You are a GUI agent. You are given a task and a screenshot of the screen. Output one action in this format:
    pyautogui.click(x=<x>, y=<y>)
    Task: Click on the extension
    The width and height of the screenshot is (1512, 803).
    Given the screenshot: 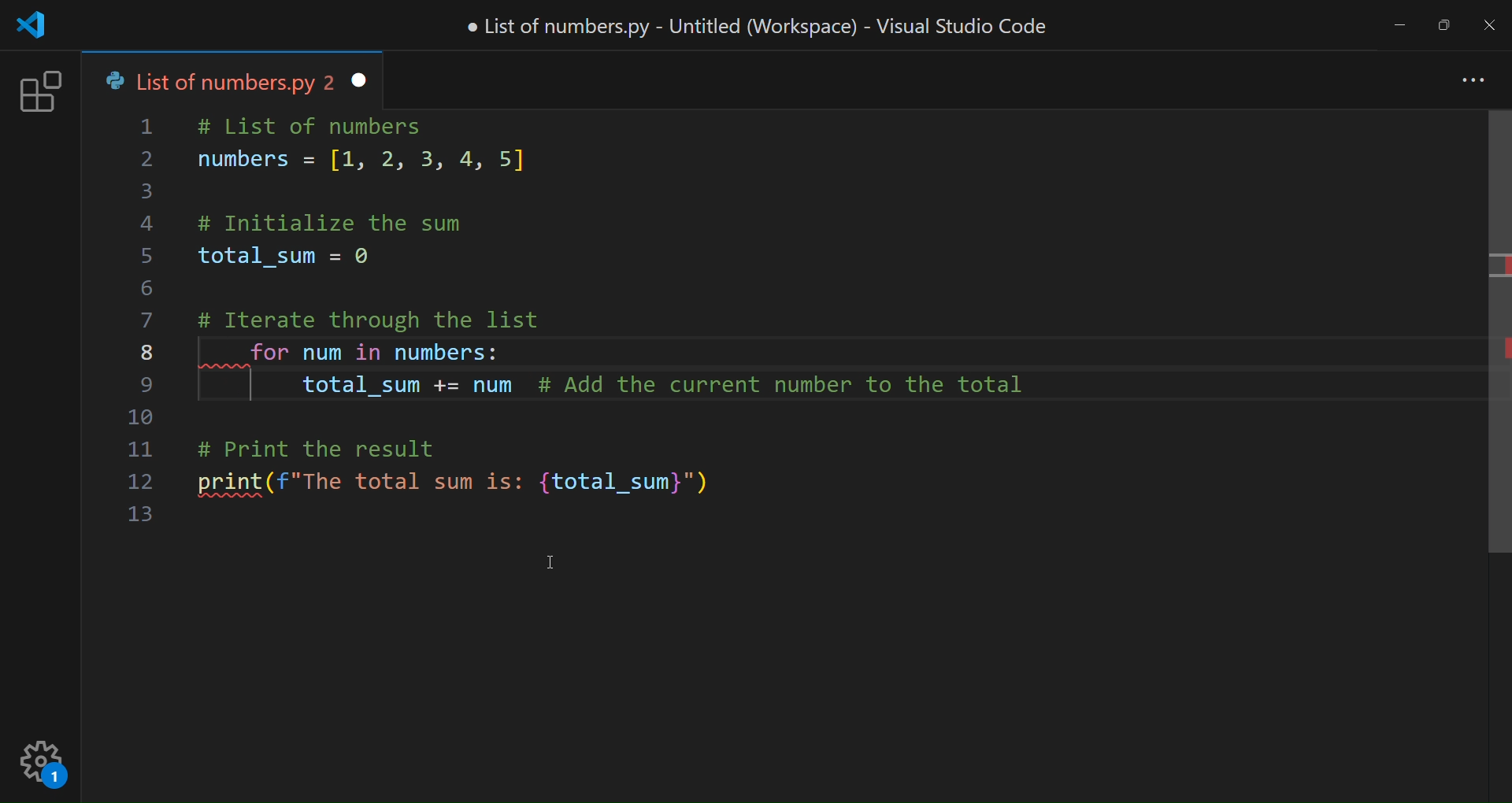 What is the action you would take?
    pyautogui.click(x=39, y=92)
    